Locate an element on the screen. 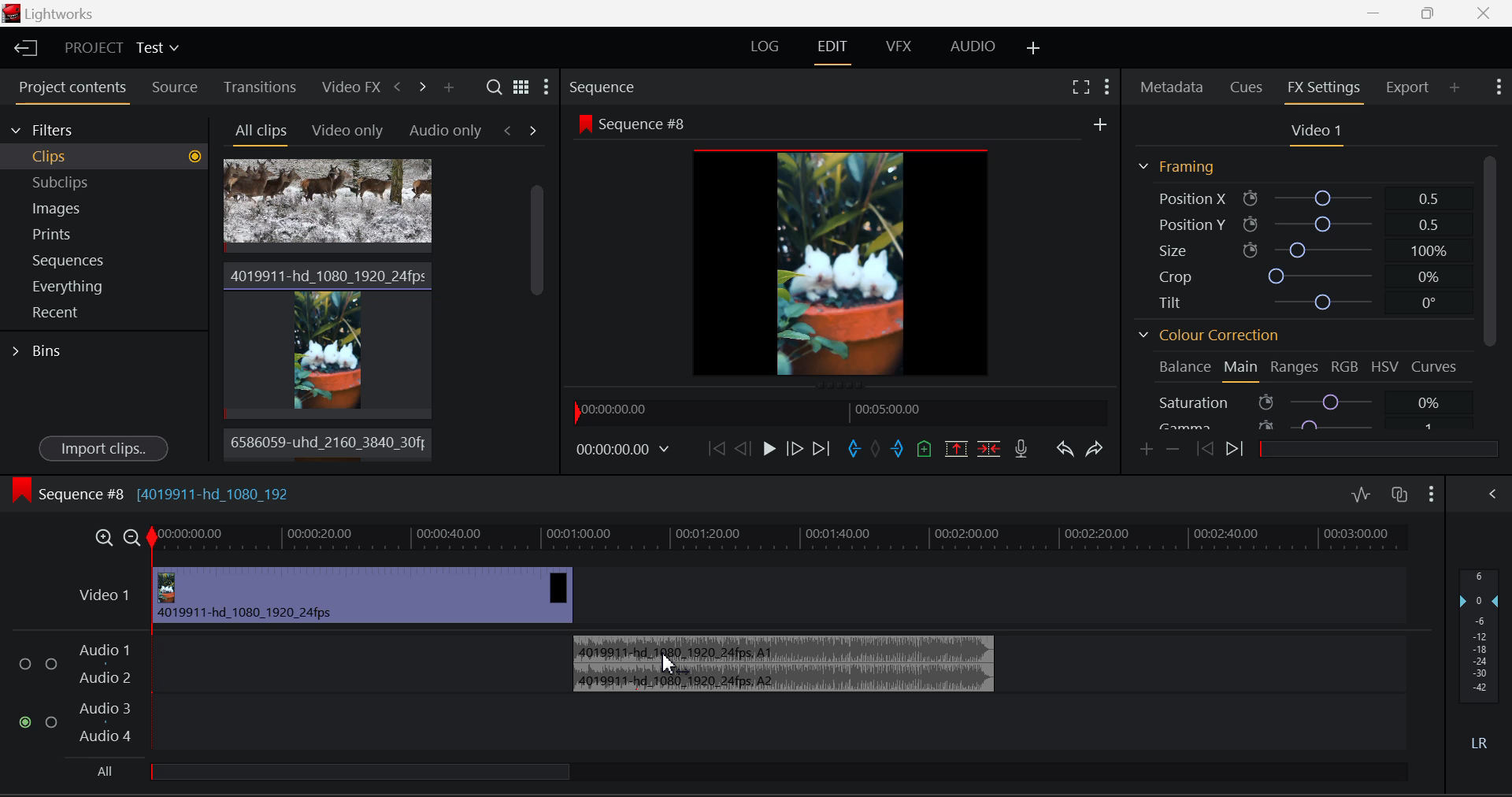  File 1 is located at coordinates (328, 206).